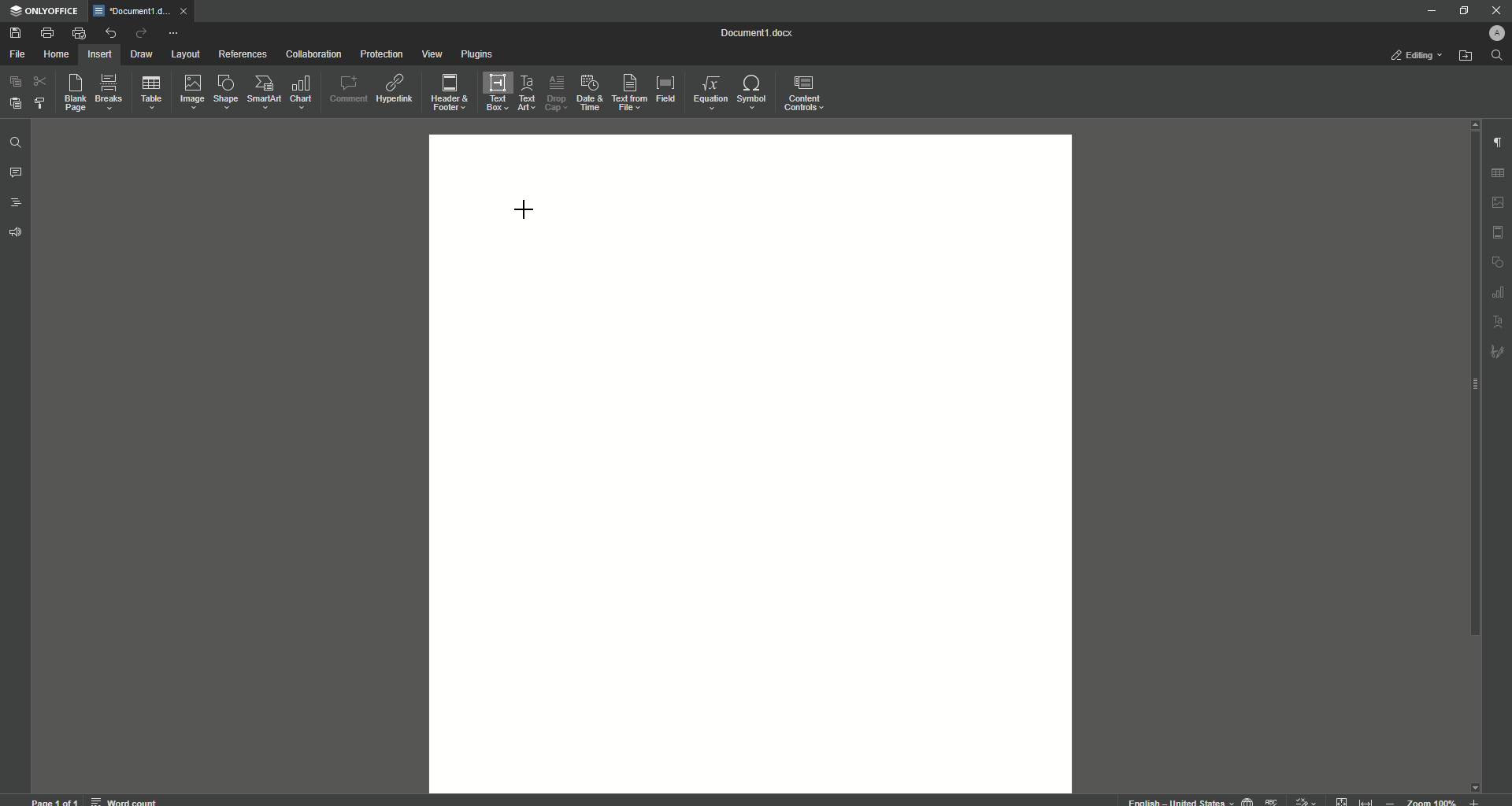  What do you see at coordinates (76, 92) in the screenshot?
I see `Blank Page` at bounding box center [76, 92].